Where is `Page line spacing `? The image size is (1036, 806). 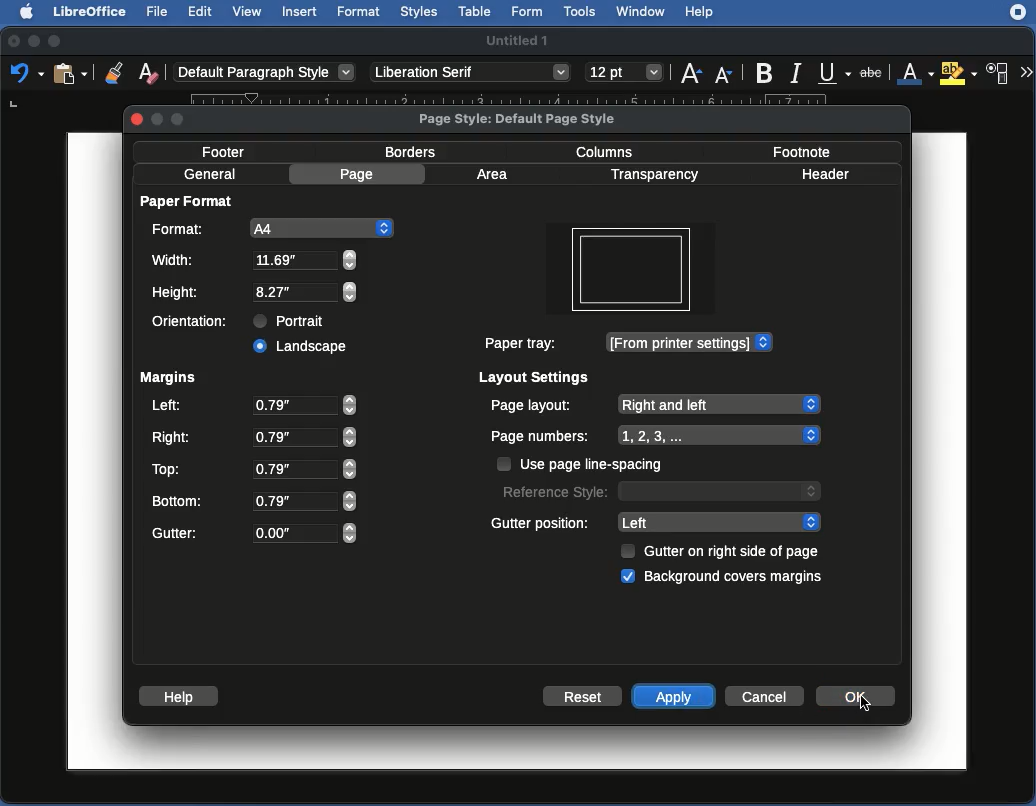 Page line spacing  is located at coordinates (600, 465).